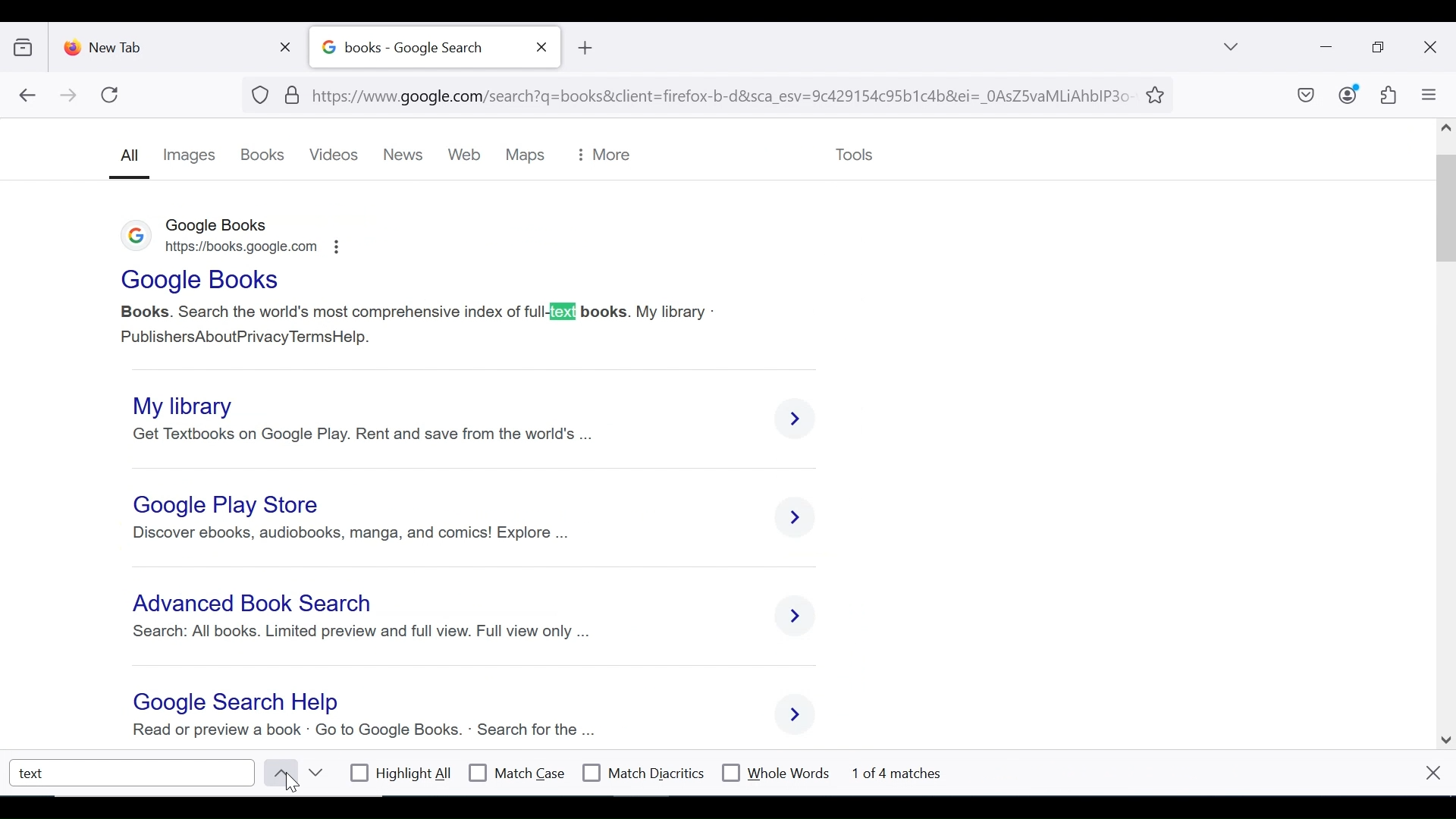 Image resolution: width=1456 pixels, height=819 pixels. What do you see at coordinates (190, 155) in the screenshot?
I see `images` at bounding box center [190, 155].